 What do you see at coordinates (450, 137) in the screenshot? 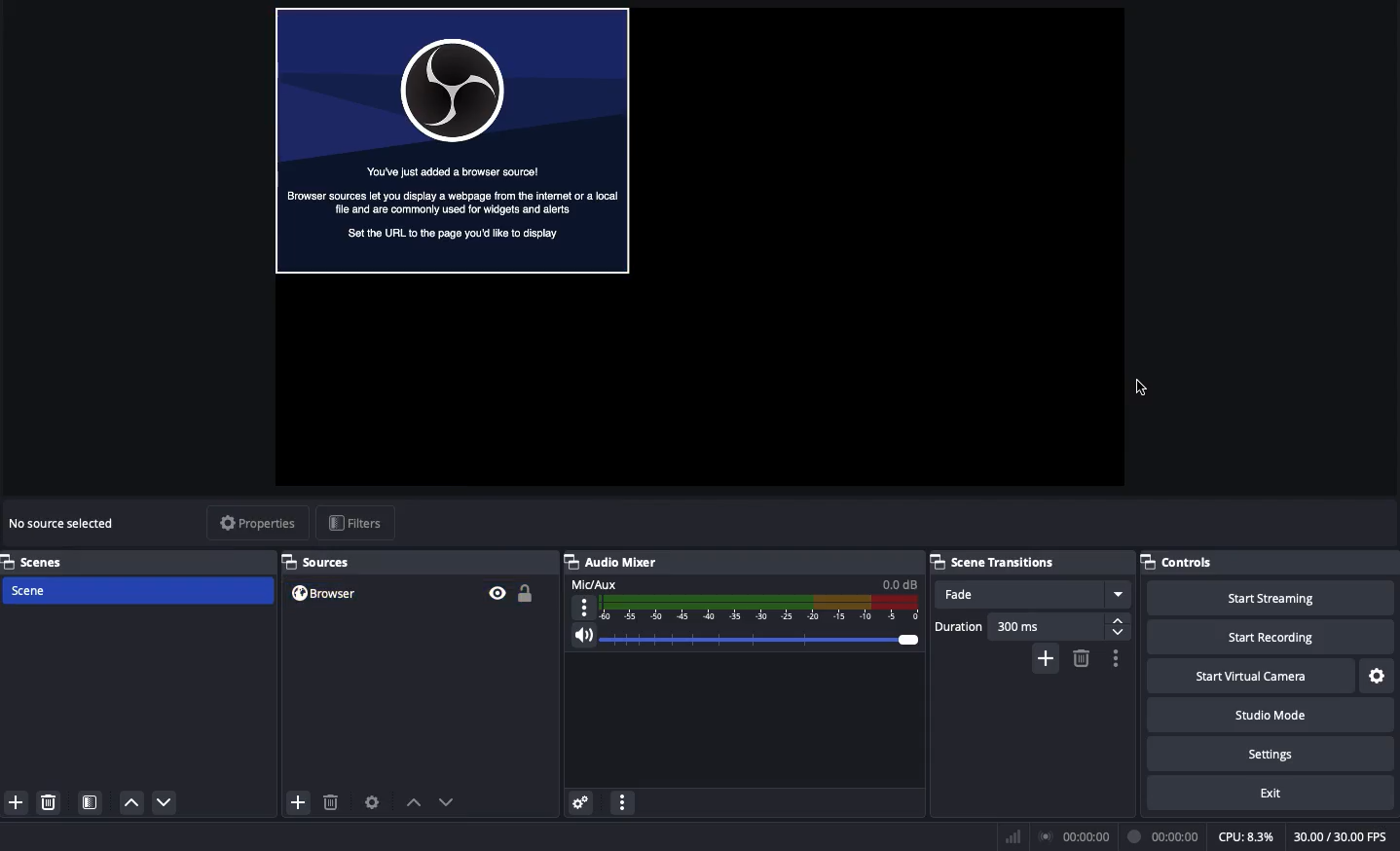
I see `Browser` at bounding box center [450, 137].